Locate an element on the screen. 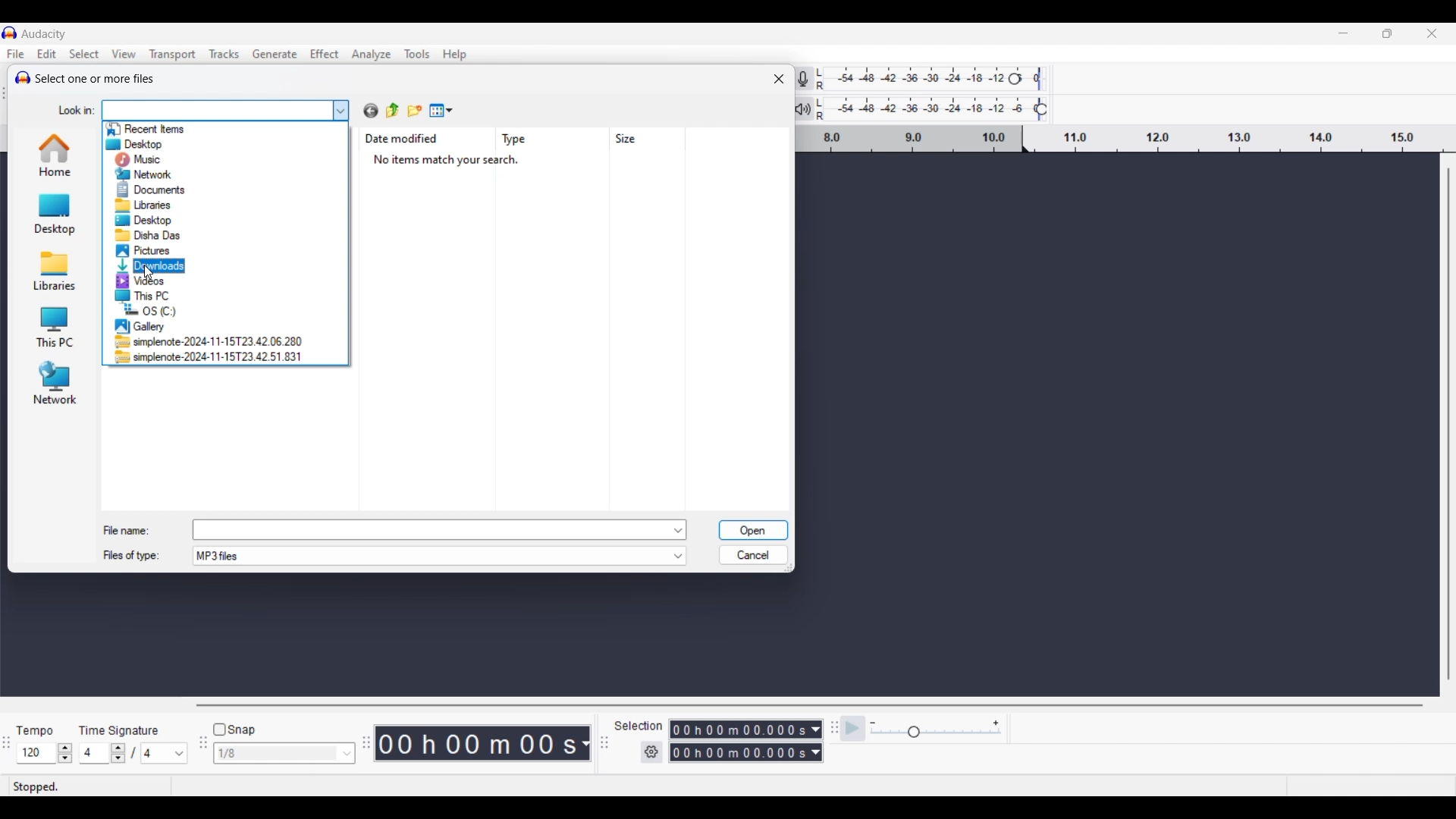 This screenshot has height=819, width=1456. Home folder is located at coordinates (53, 155).